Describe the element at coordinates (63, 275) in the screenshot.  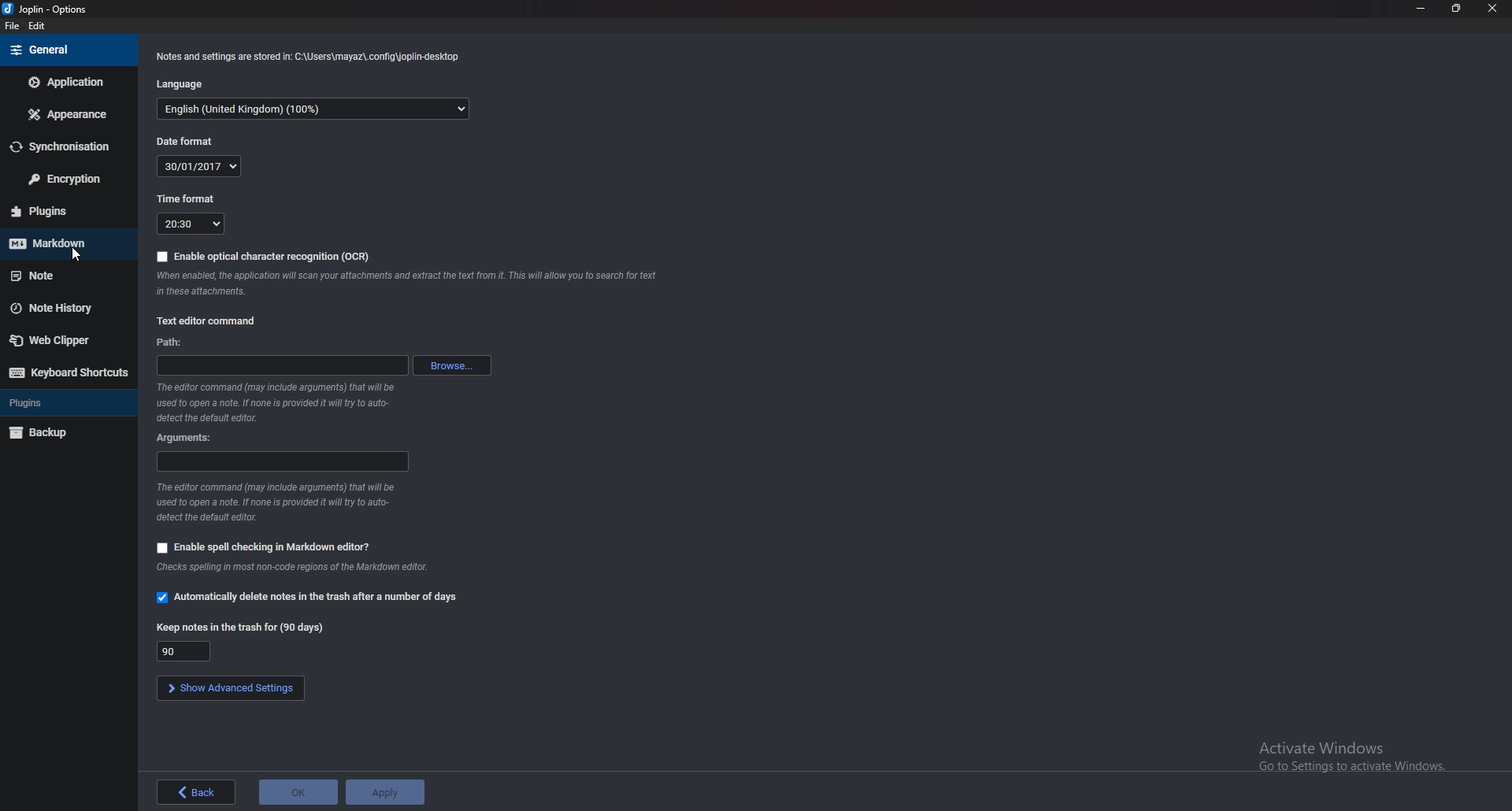
I see `note` at that location.